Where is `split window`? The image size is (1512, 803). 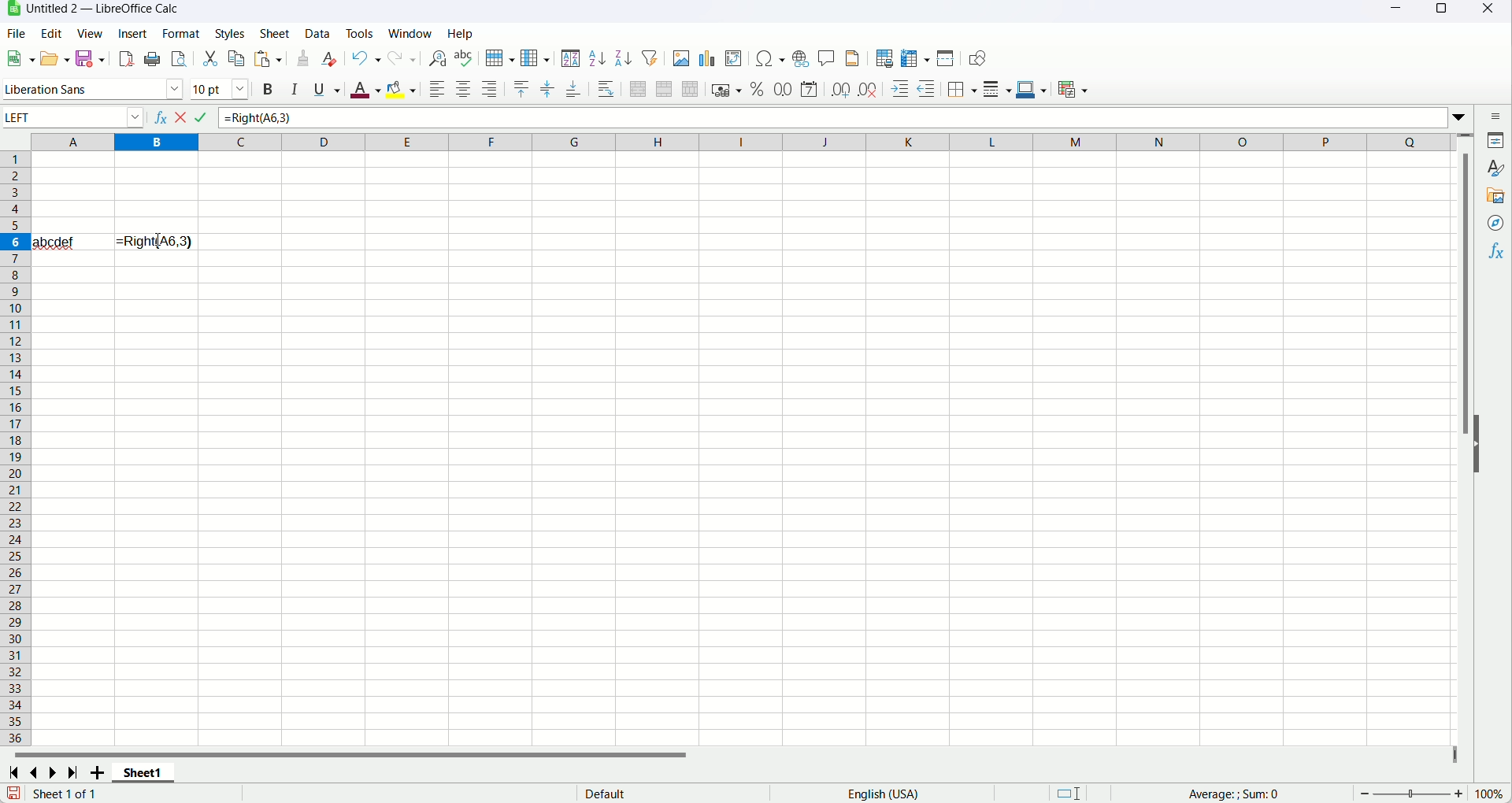 split window is located at coordinates (947, 57).